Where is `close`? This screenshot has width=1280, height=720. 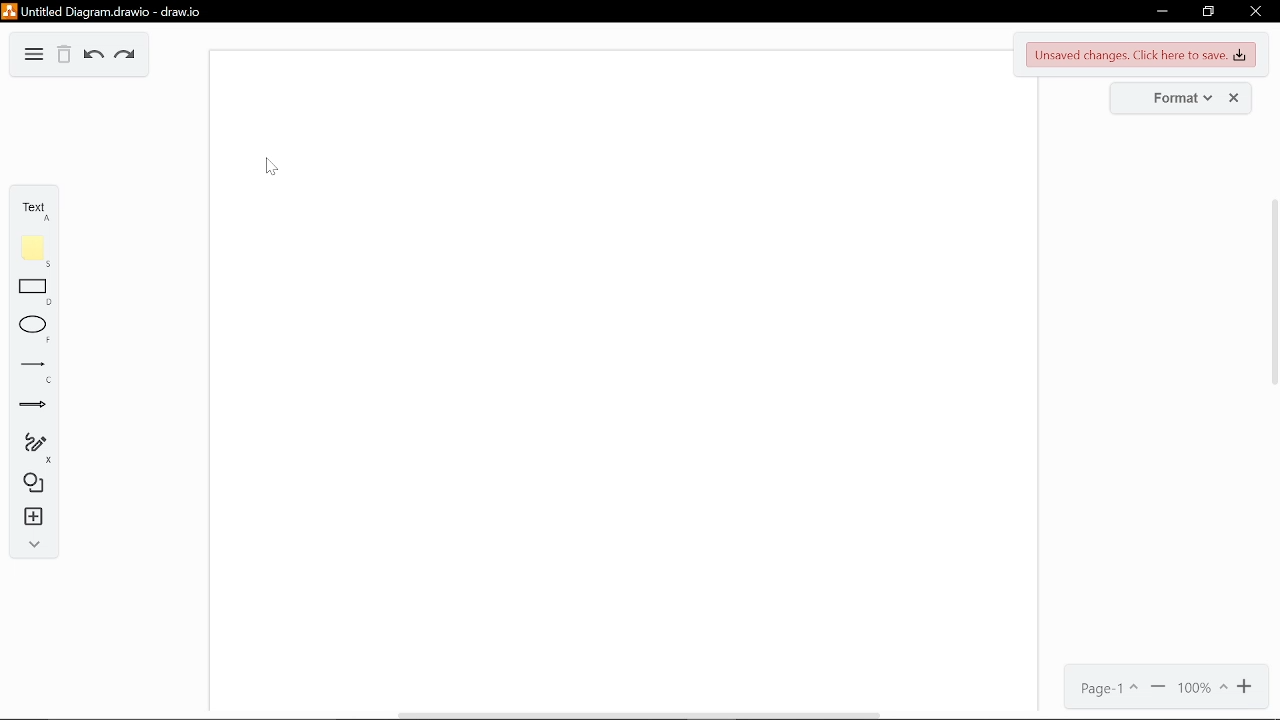 close is located at coordinates (1234, 97).